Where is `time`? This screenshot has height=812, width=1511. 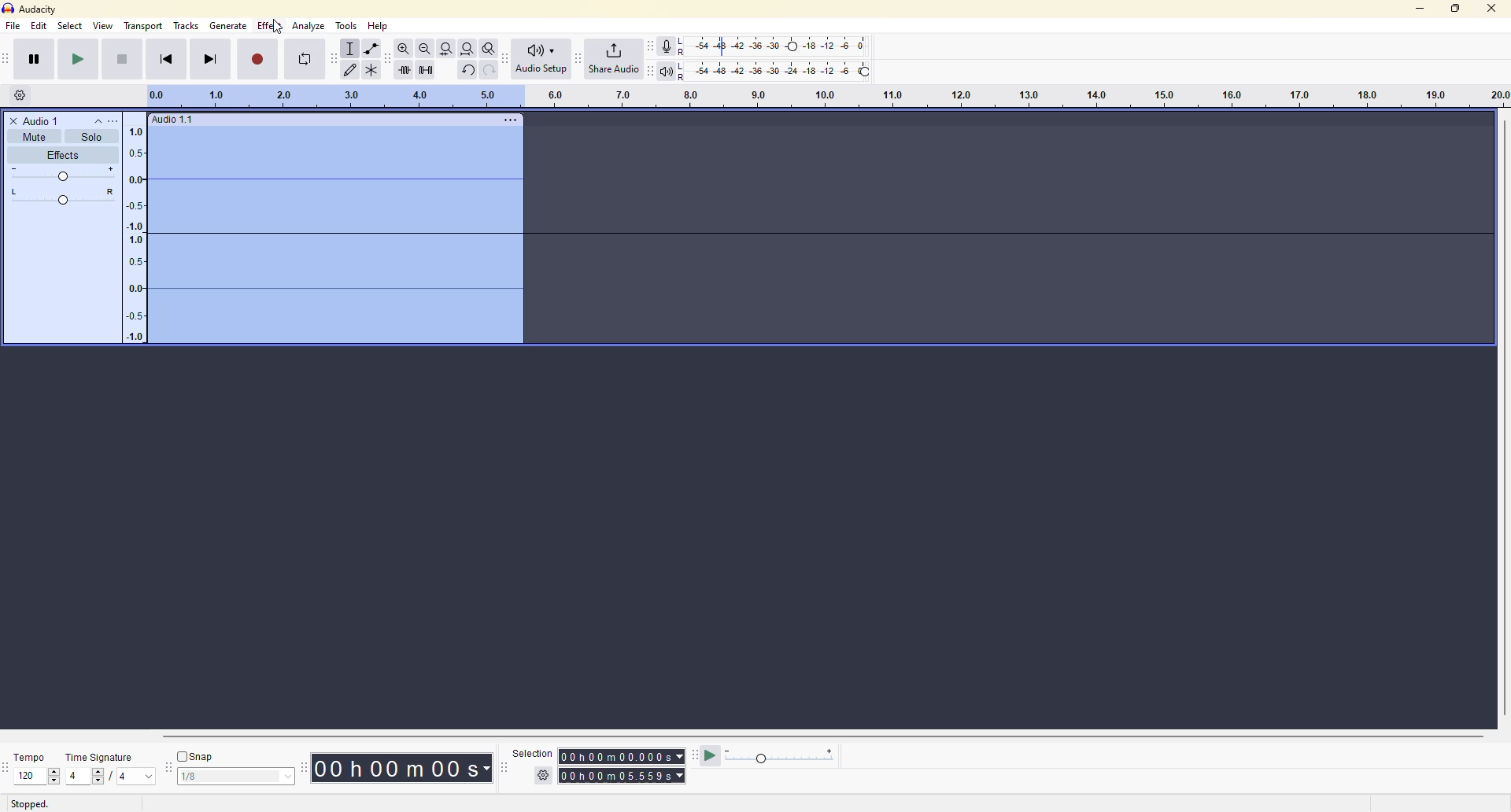 time is located at coordinates (623, 753).